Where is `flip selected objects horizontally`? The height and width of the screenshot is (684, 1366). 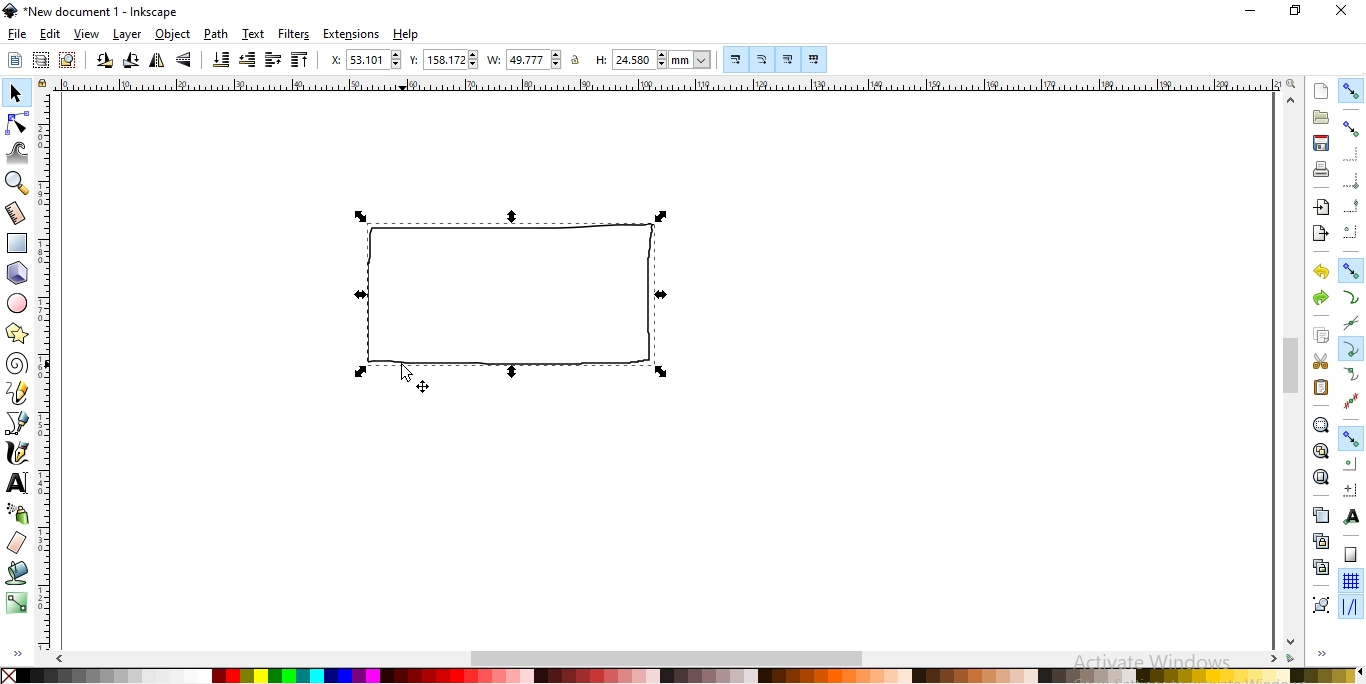 flip selected objects horizontally is located at coordinates (158, 60).